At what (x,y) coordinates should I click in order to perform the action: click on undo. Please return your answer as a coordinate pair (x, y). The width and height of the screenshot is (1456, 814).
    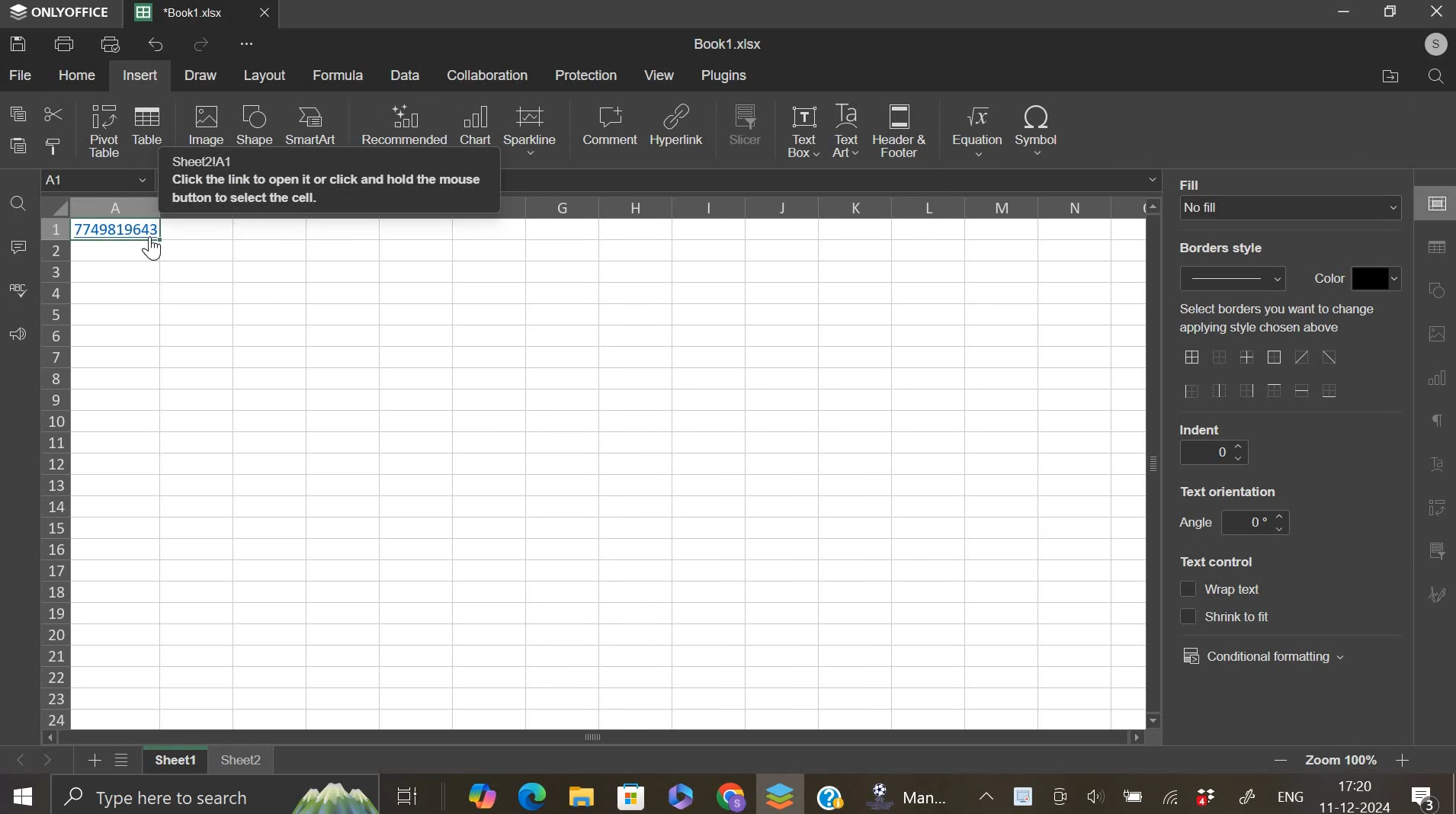
    Looking at the image, I should click on (158, 44).